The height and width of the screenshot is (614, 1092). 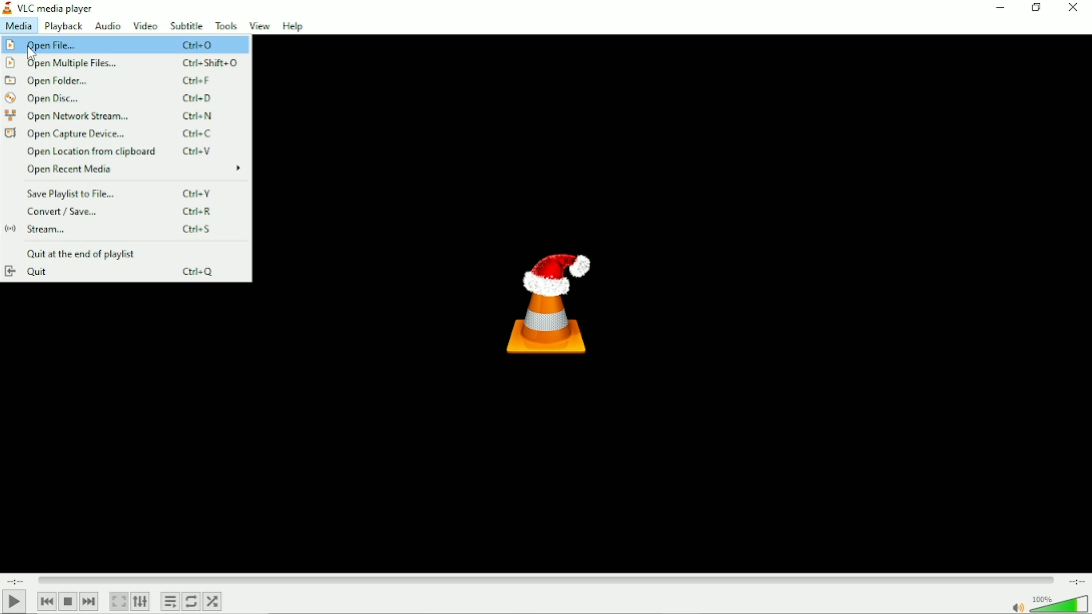 What do you see at coordinates (50, 7) in the screenshot?
I see `Title` at bounding box center [50, 7].